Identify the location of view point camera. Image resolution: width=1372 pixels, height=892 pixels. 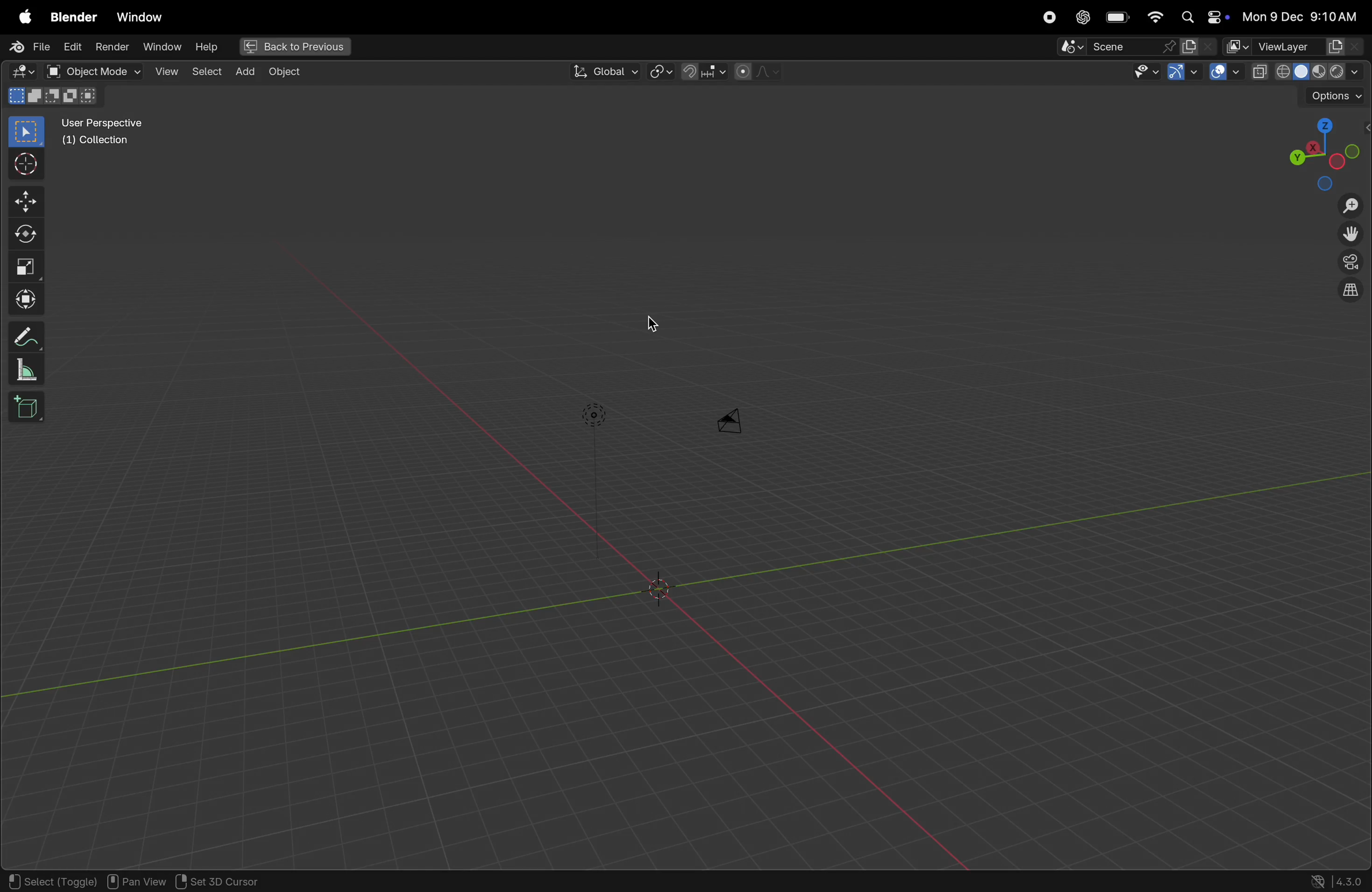
(1351, 263).